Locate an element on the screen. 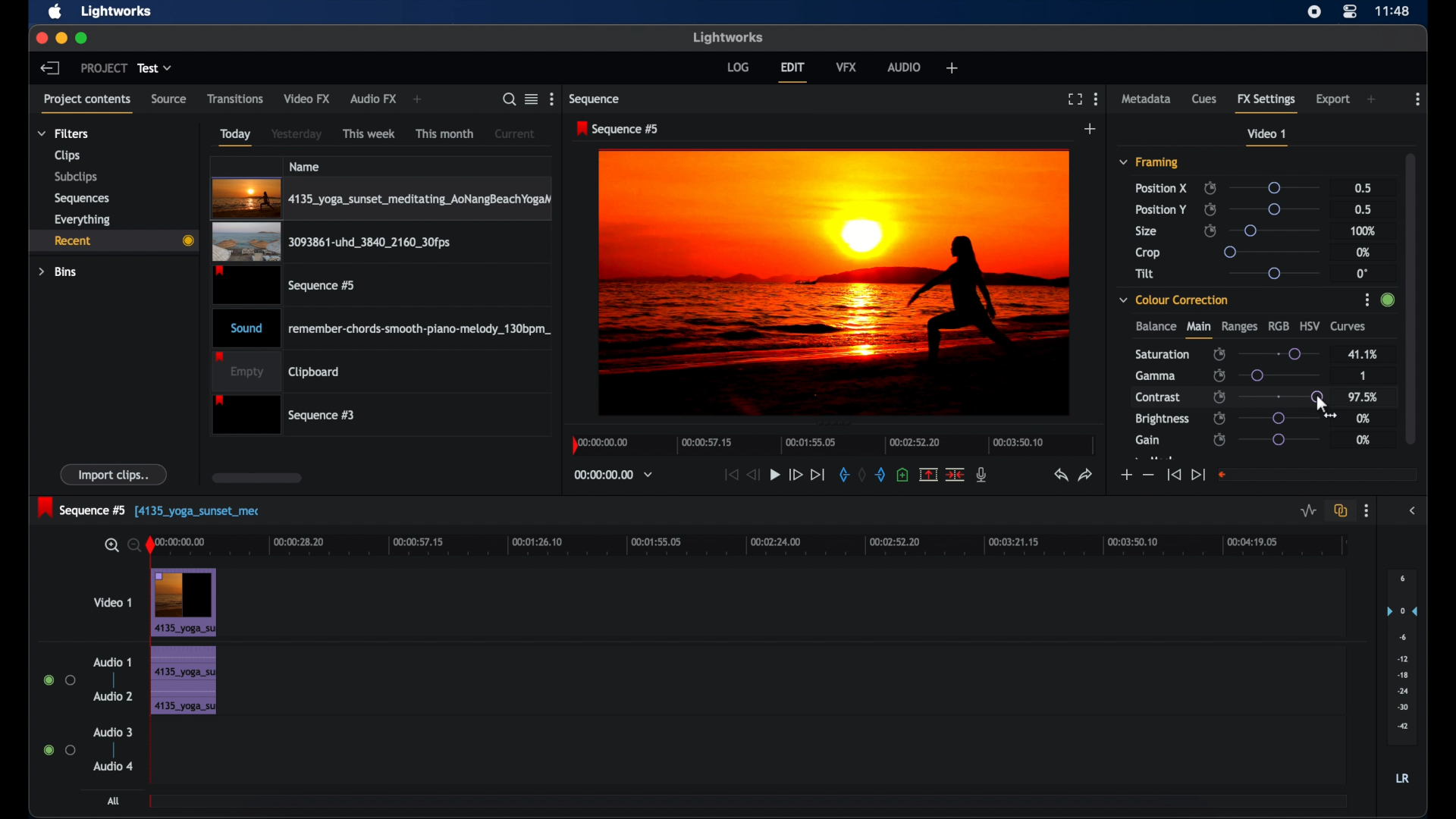 Image resolution: width=1456 pixels, height=819 pixels. empty is located at coordinates (276, 371).